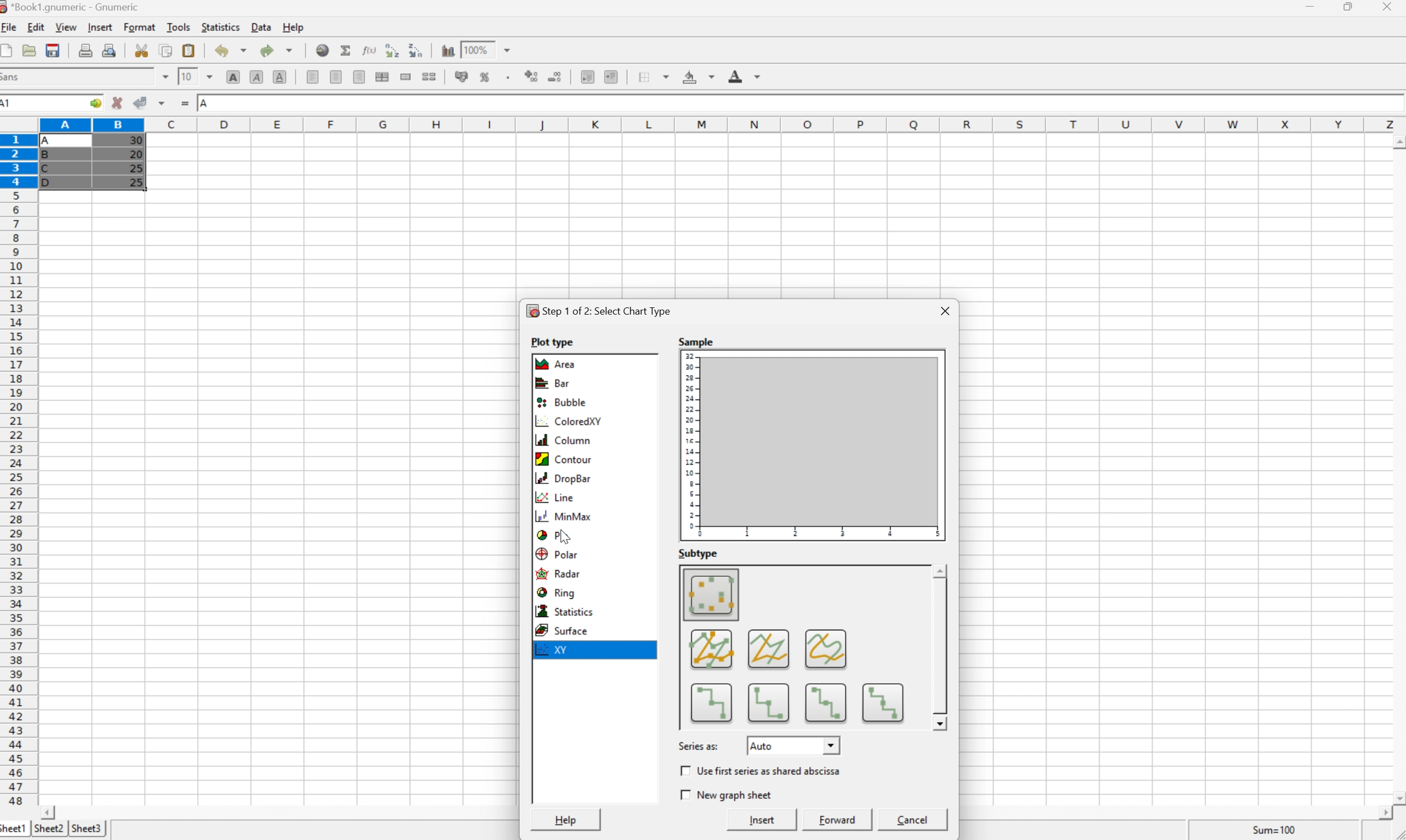 This screenshot has width=1406, height=840. What do you see at coordinates (557, 552) in the screenshot?
I see `Polar` at bounding box center [557, 552].